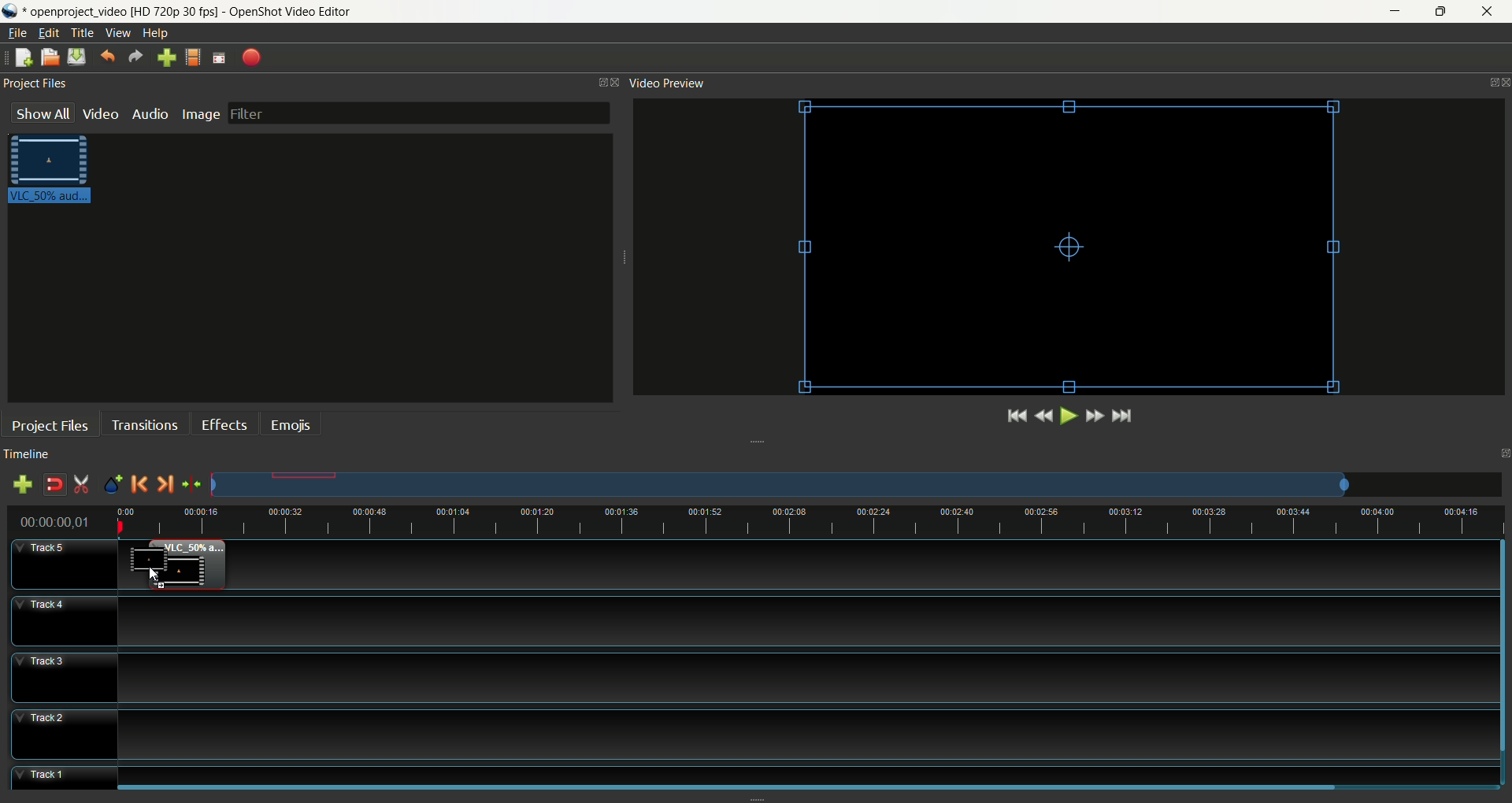 The image size is (1512, 803). I want to click on export video, so click(250, 57).